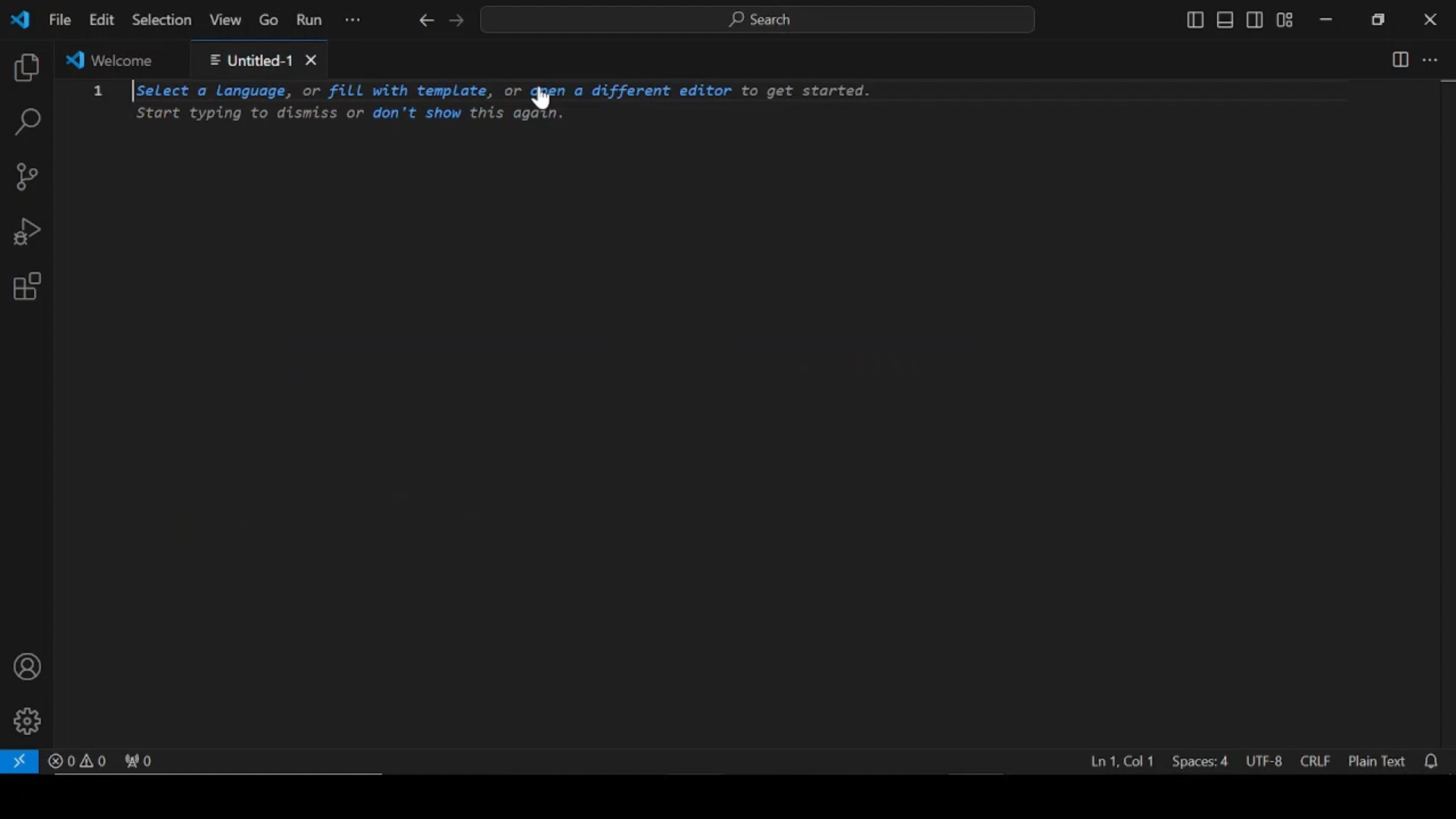 The width and height of the screenshot is (1456, 819). I want to click on explorer, so click(27, 69).